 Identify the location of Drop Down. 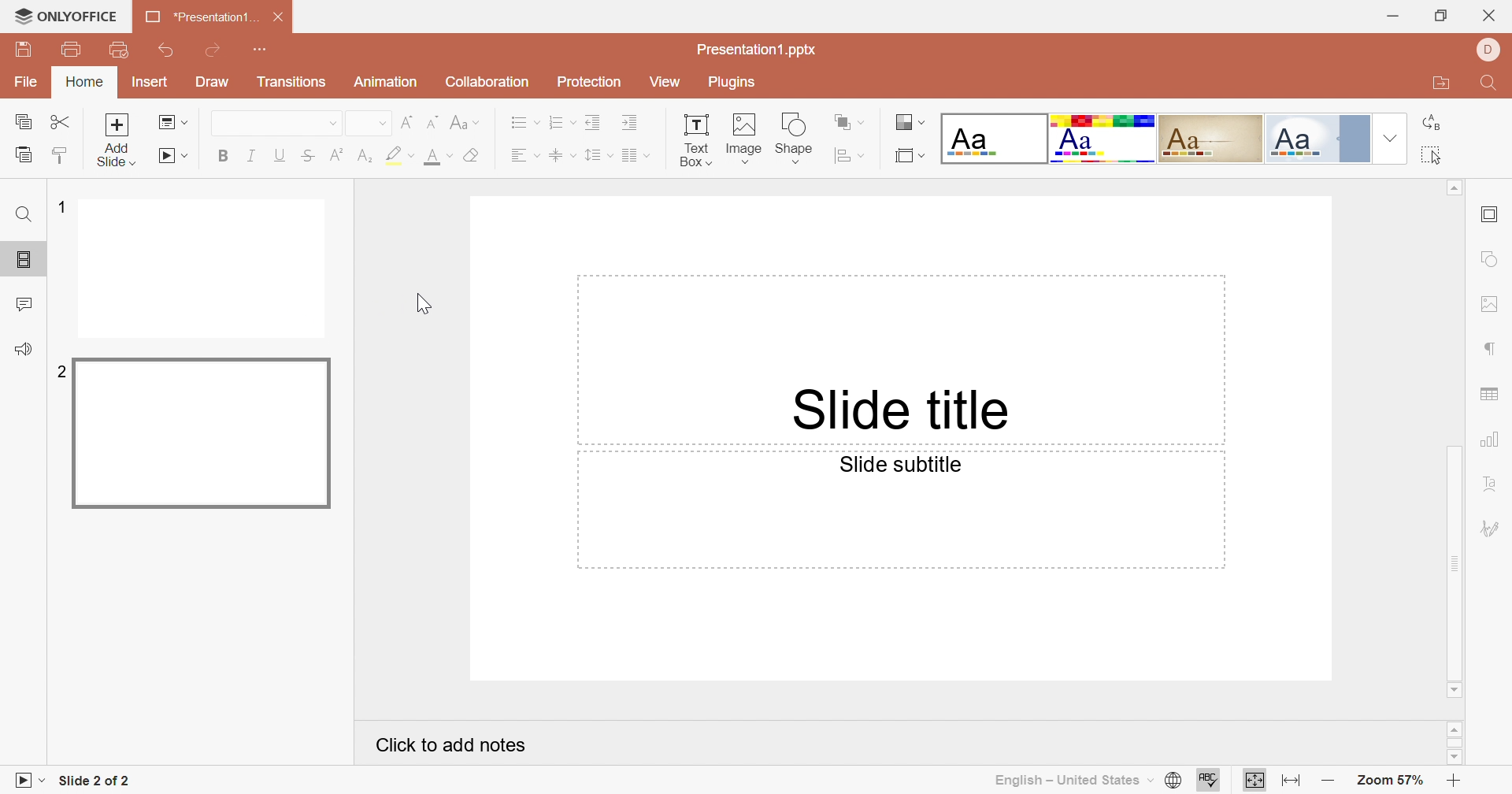
(537, 122).